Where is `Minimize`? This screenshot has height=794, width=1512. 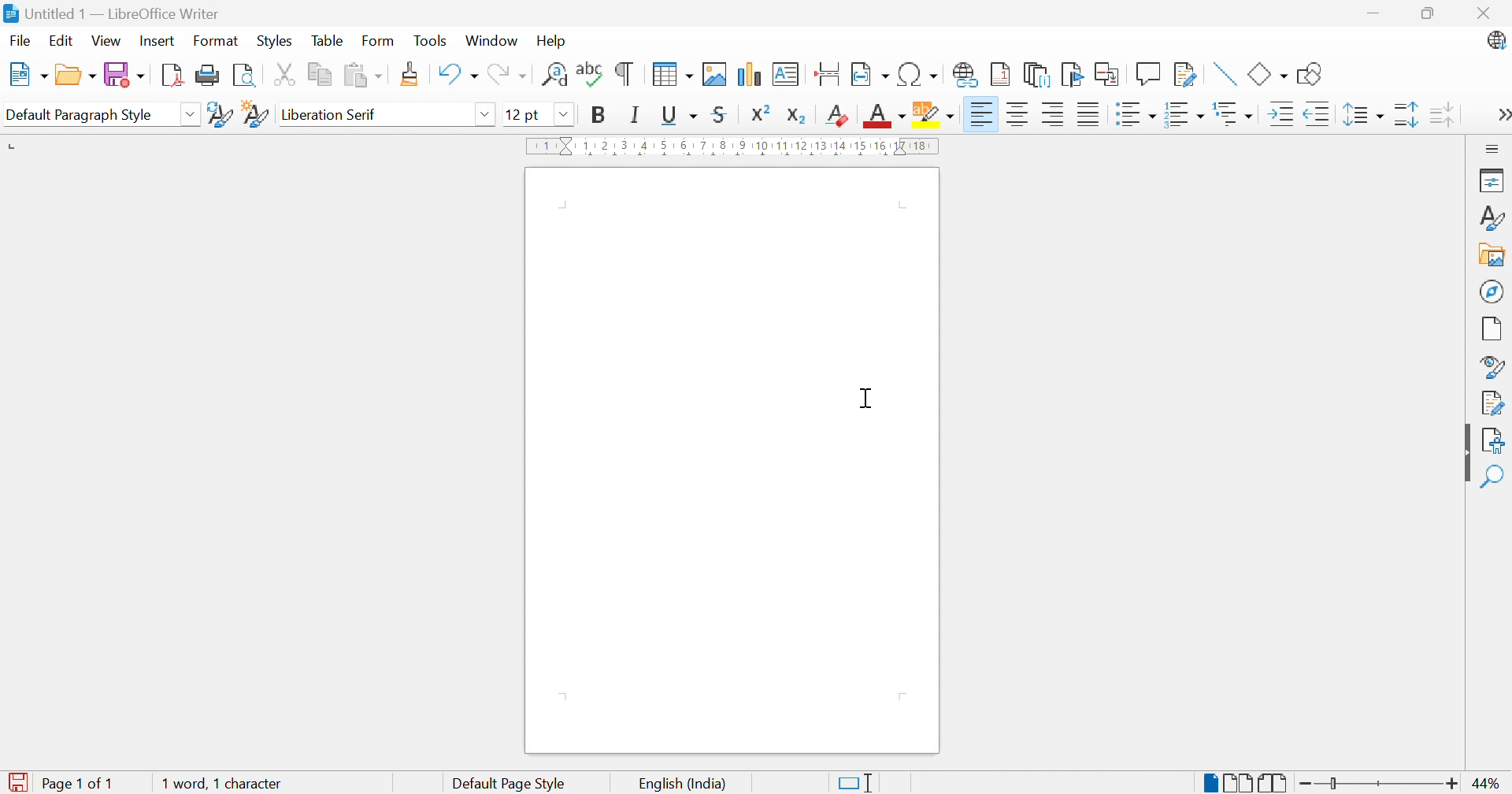 Minimize is located at coordinates (1373, 11).